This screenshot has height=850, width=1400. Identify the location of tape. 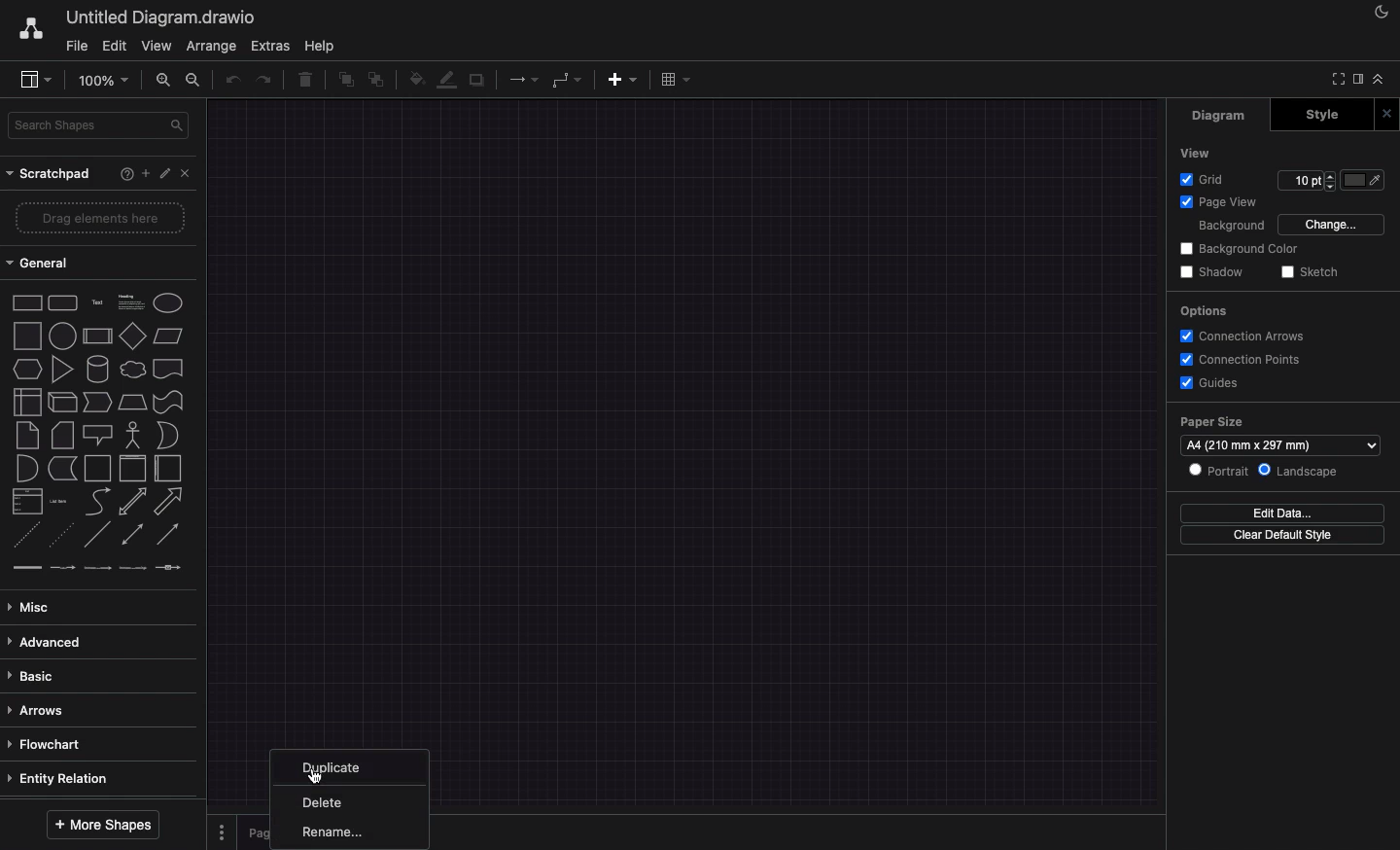
(169, 402).